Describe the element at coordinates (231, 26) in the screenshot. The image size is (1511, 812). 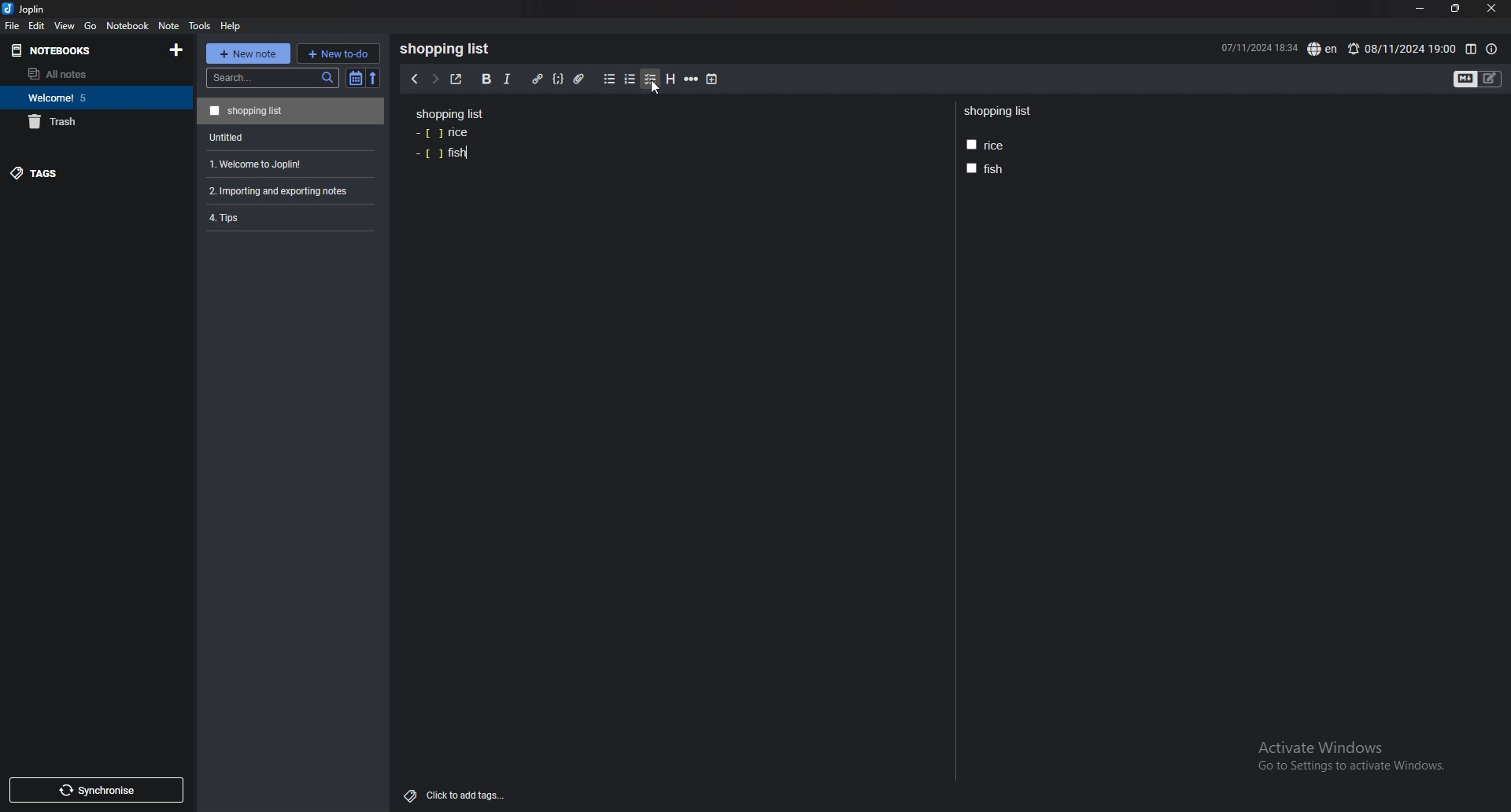
I see `help` at that location.